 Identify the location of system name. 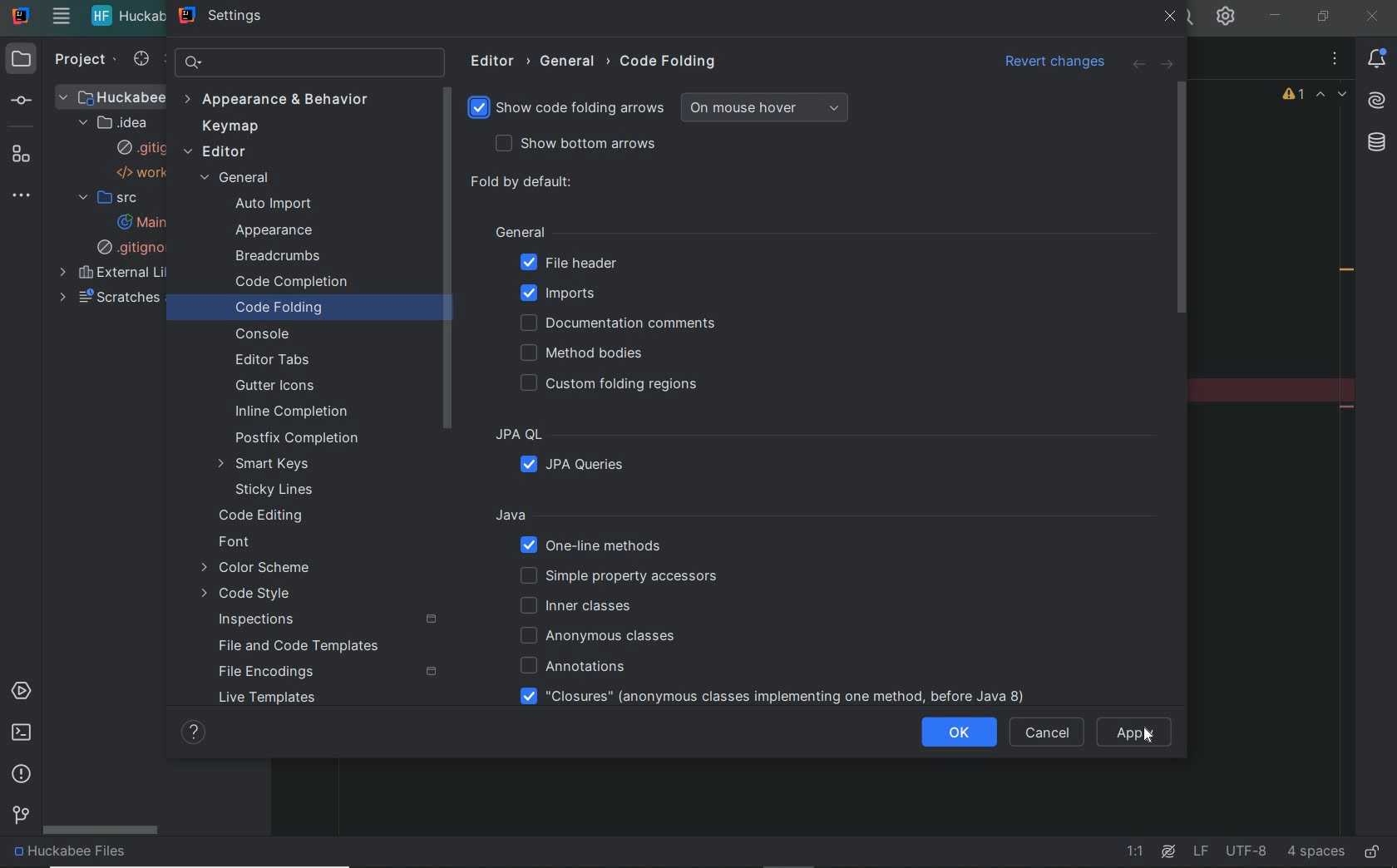
(20, 16).